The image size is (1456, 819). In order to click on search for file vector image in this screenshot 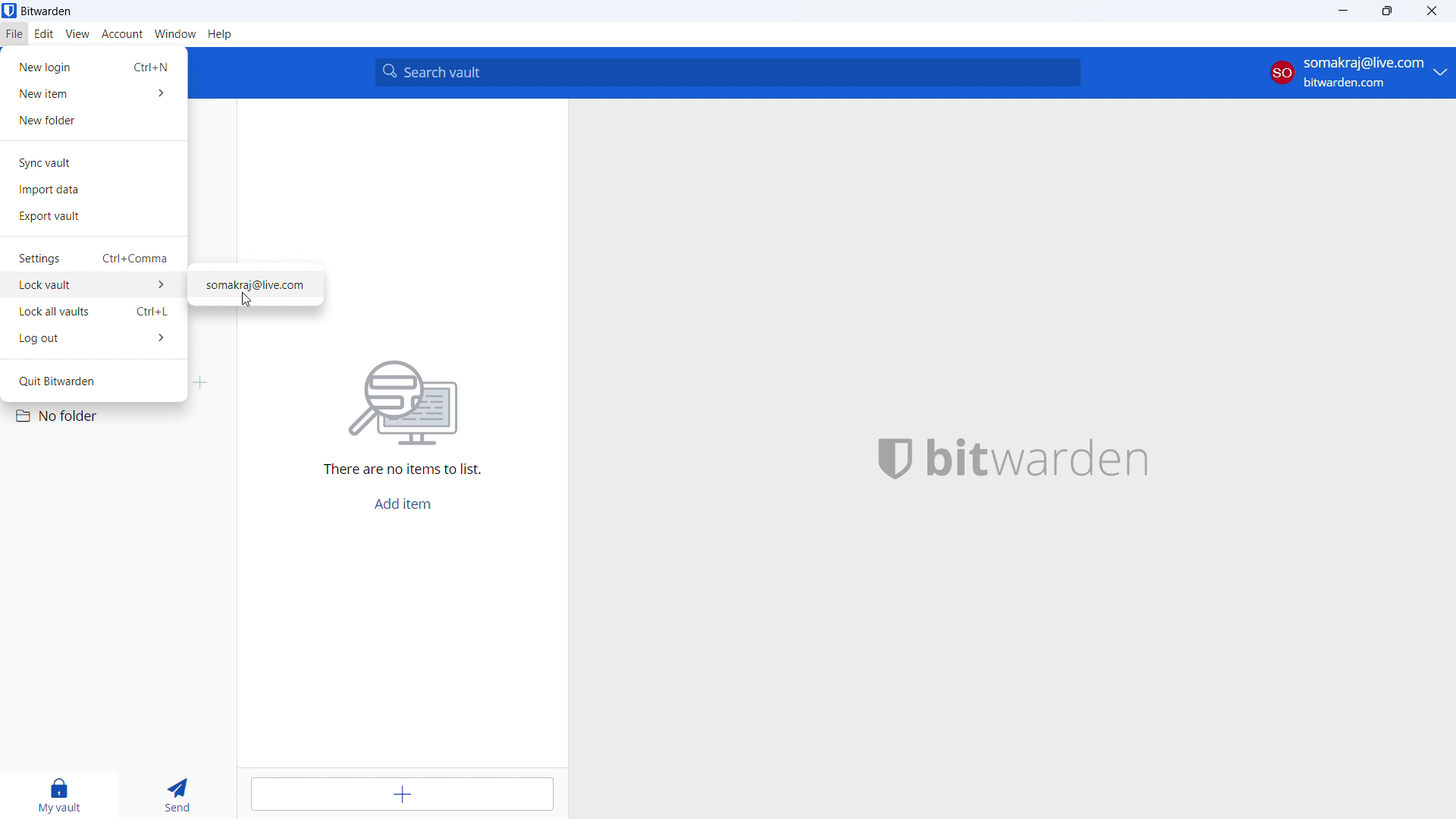, I will do `click(406, 400)`.